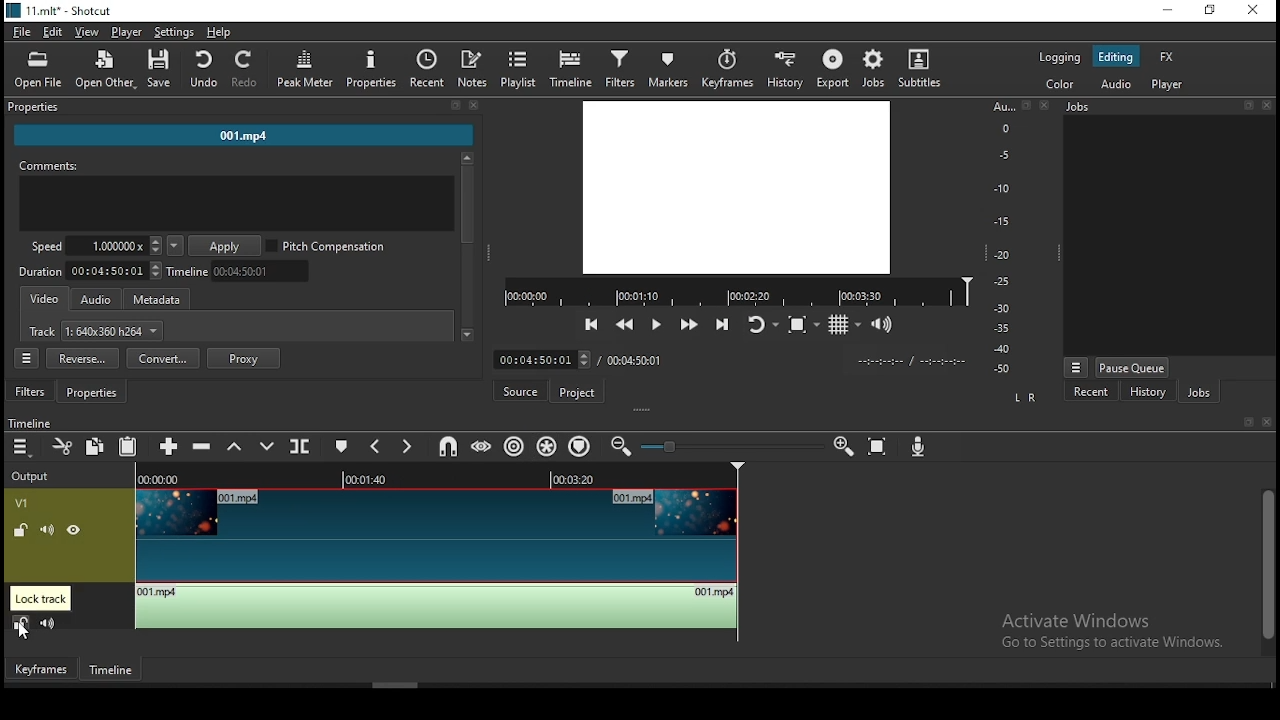  I want to click on show volume control, so click(884, 321).